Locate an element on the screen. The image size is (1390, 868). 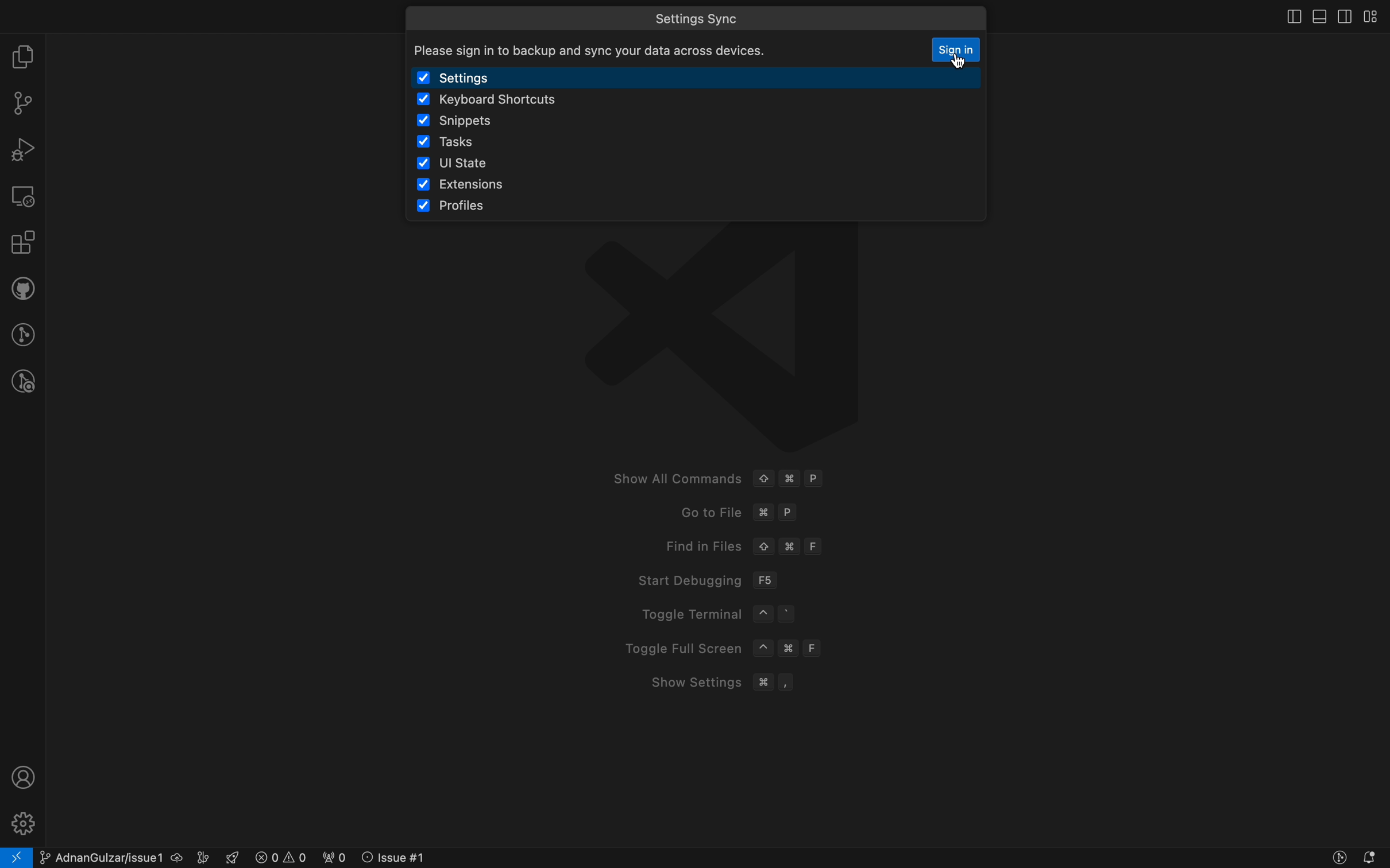
toog;e primary bar is located at coordinates (1317, 17).